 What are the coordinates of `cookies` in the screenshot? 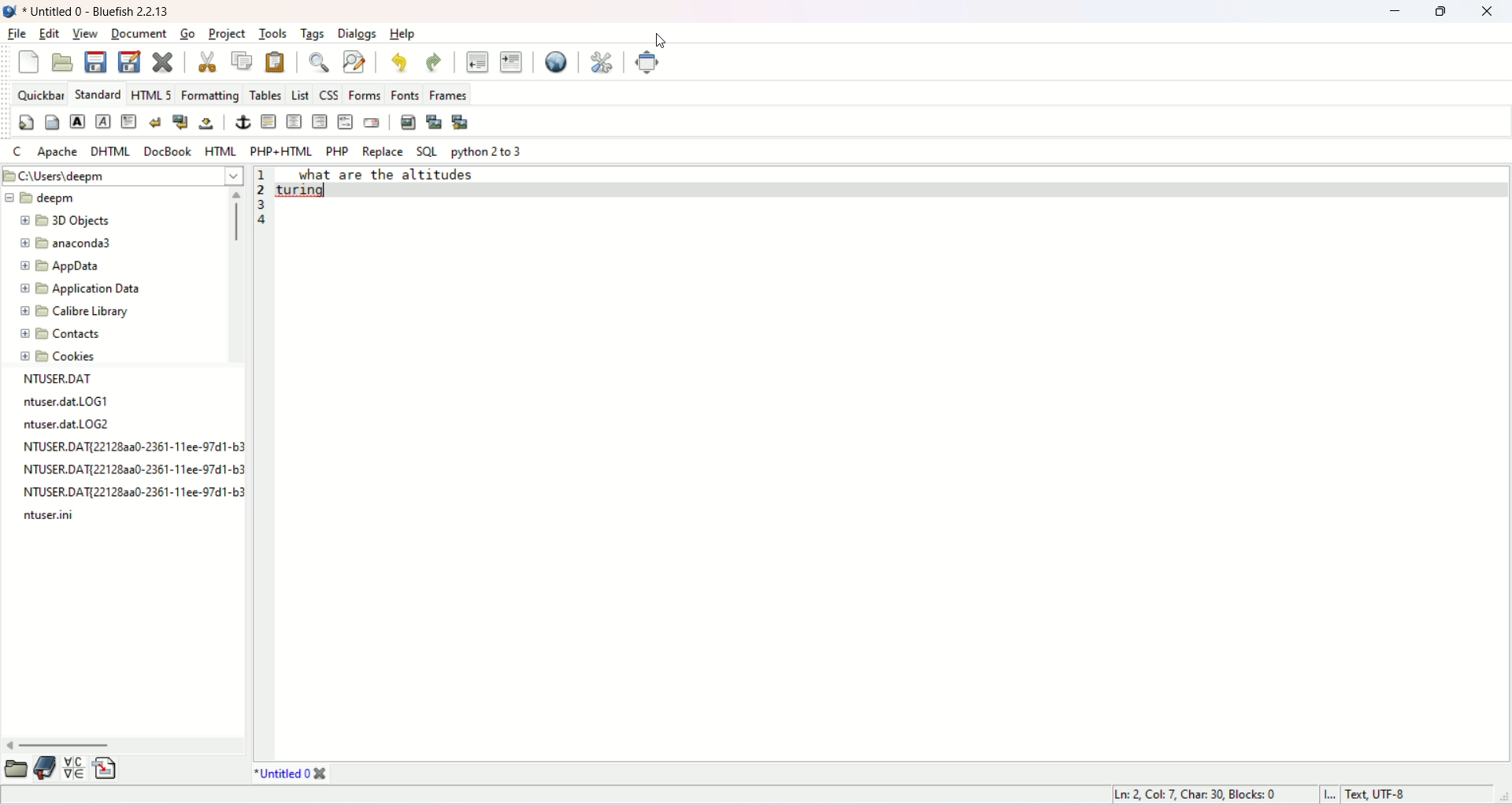 It's located at (60, 358).